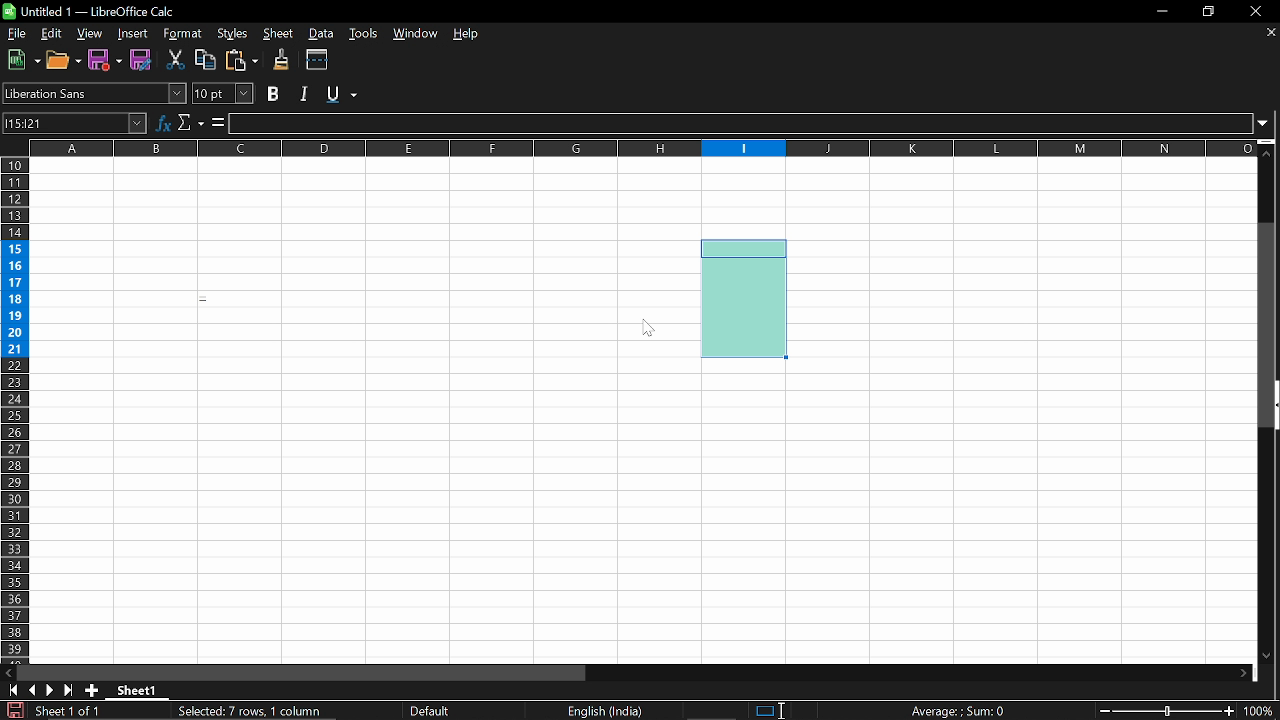 Image resolution: width=1280 pixels, height=720 pixels. I want to click on Selected: 7 rows, 1 column, so click(253, 711).